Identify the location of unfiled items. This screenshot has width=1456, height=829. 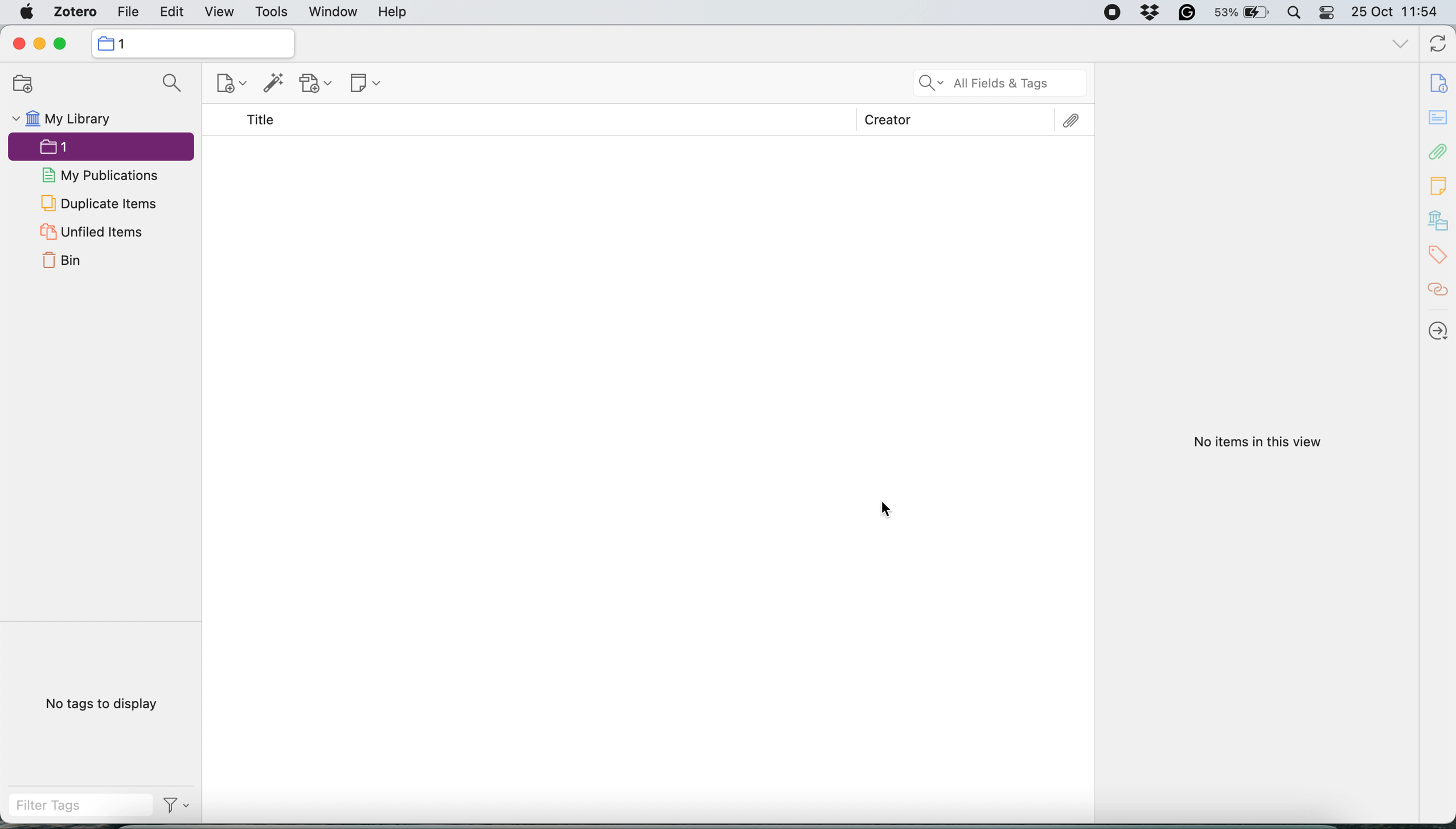
(93, 231).